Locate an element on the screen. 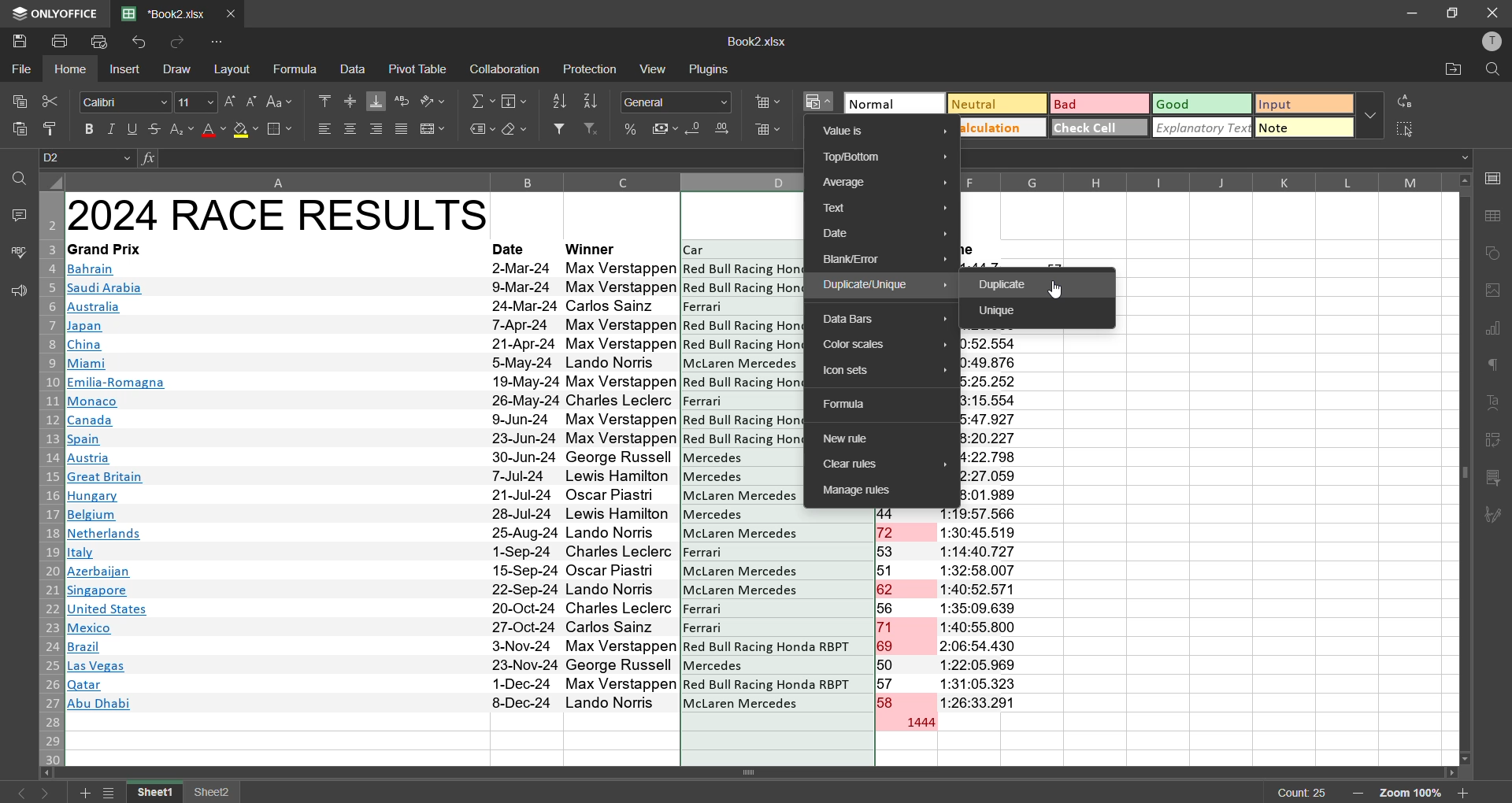 The image size is (1512, 803). layout is located at coordinates (235, 69).